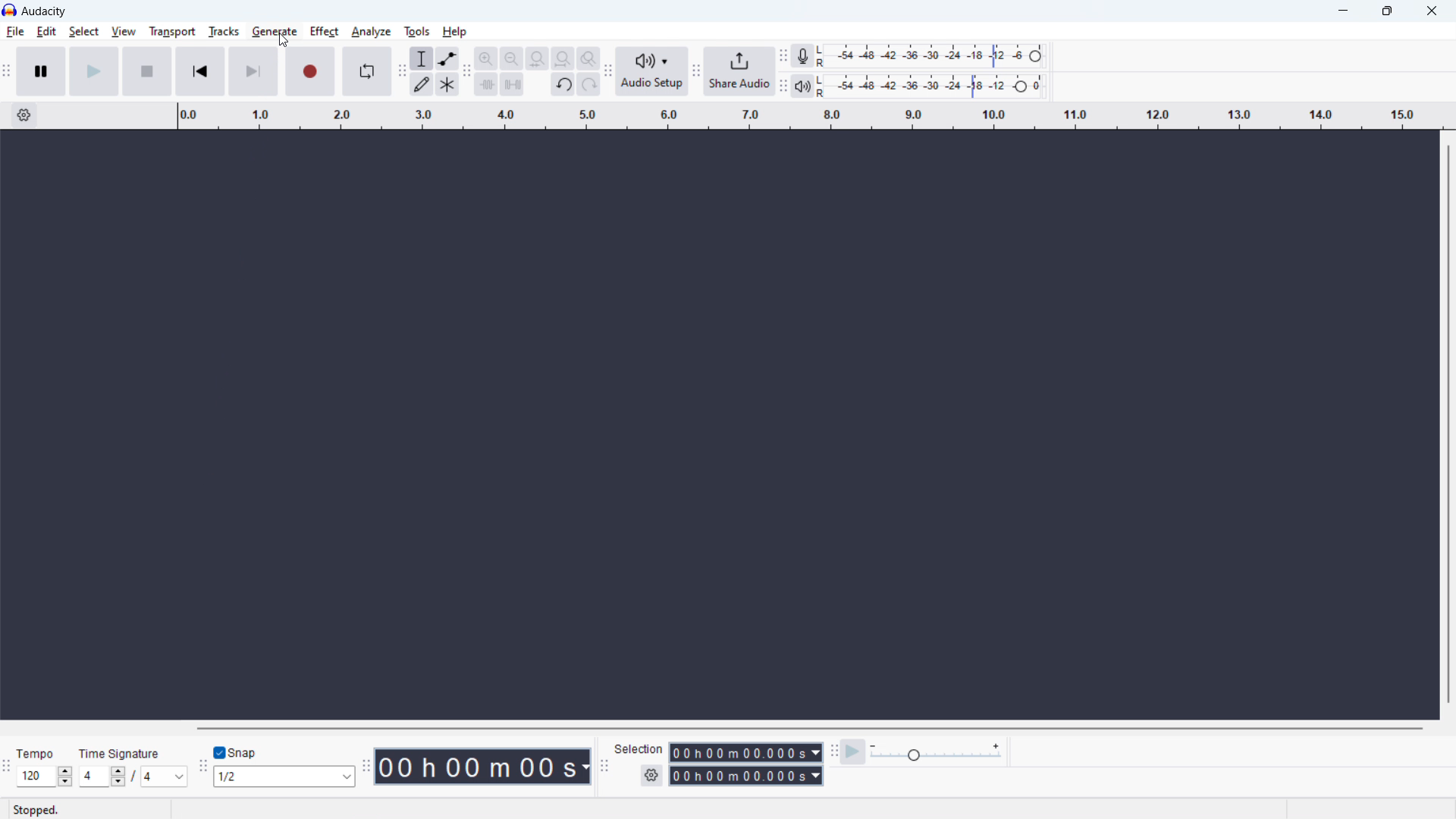  Describe the element at coordinates (537, 58) in the screenshot. I see `fit selection to width` at that location.